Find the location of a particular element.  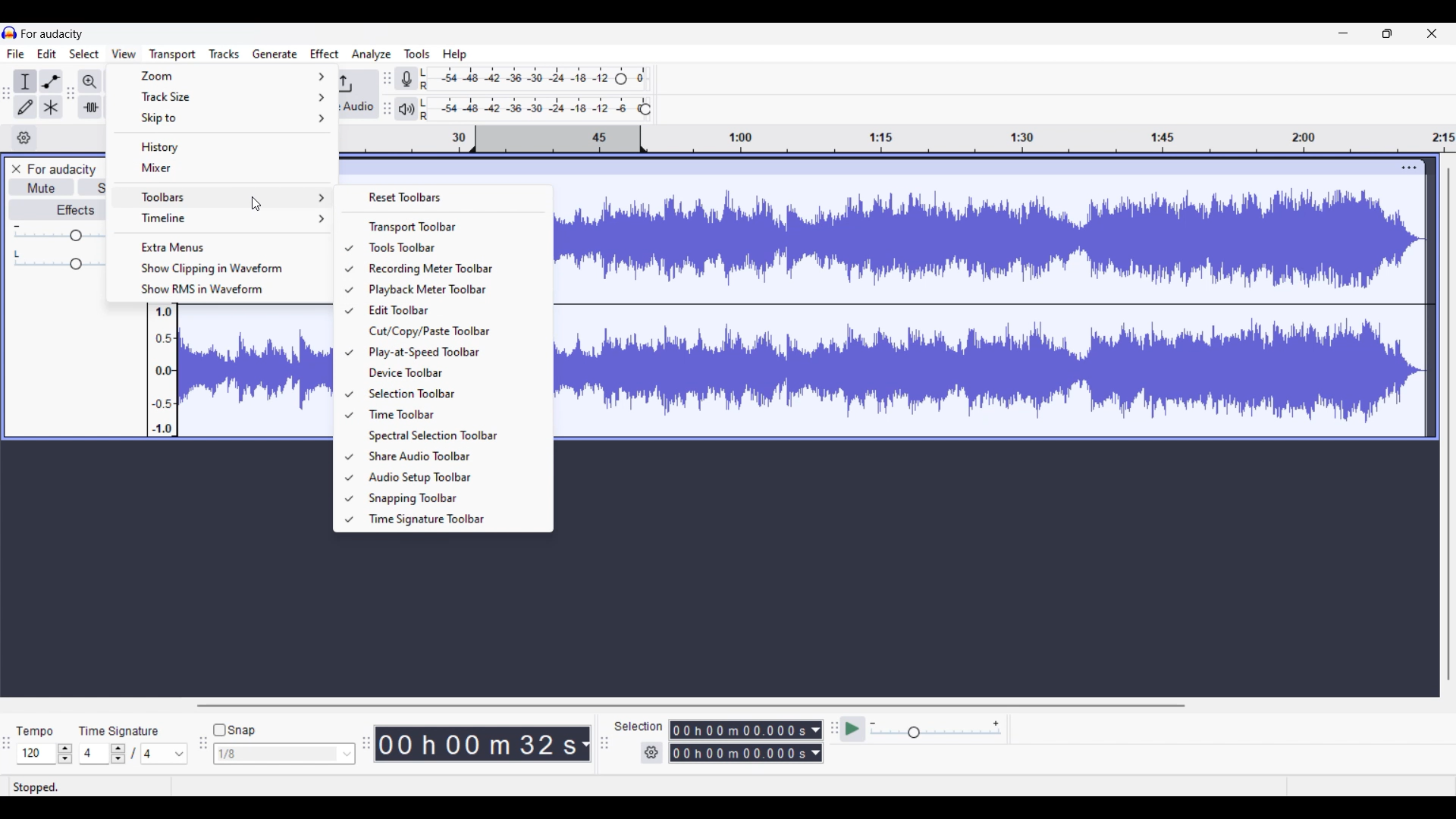

Max. time signature options is located at coordinates (165, 754).